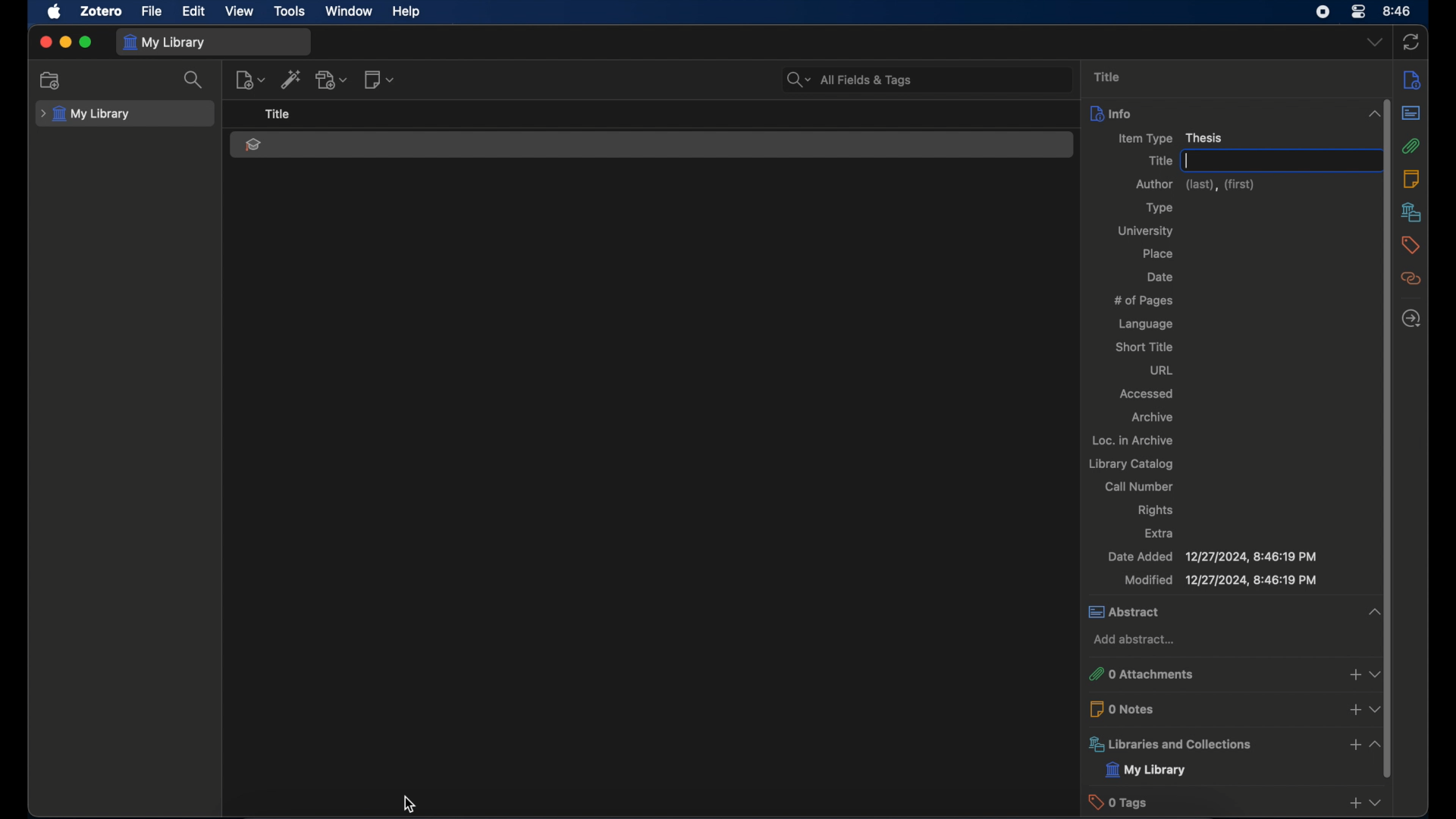  I want to click on accessed, so click(1145, 394).